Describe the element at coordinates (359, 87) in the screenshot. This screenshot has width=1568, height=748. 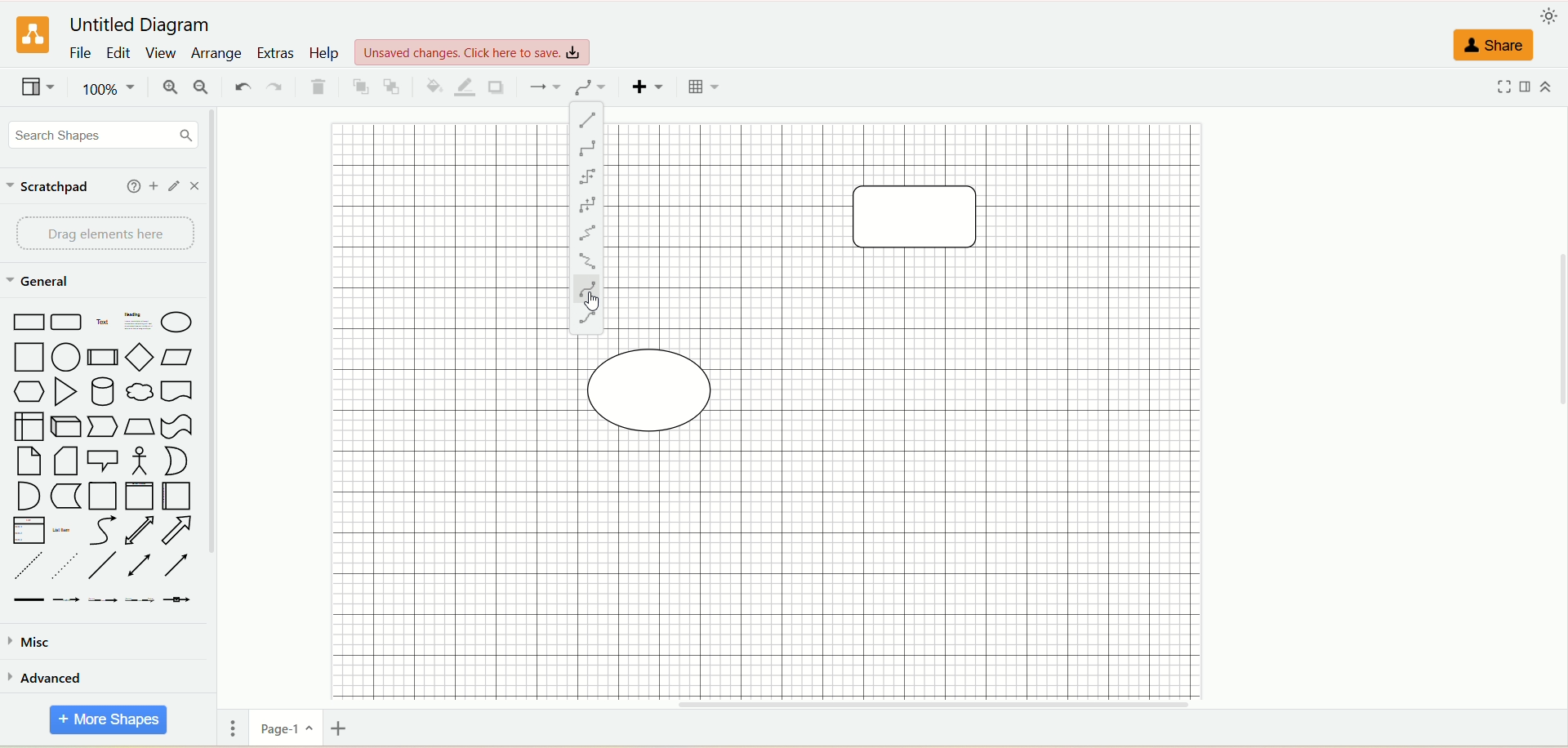
I see `to front` at that location.